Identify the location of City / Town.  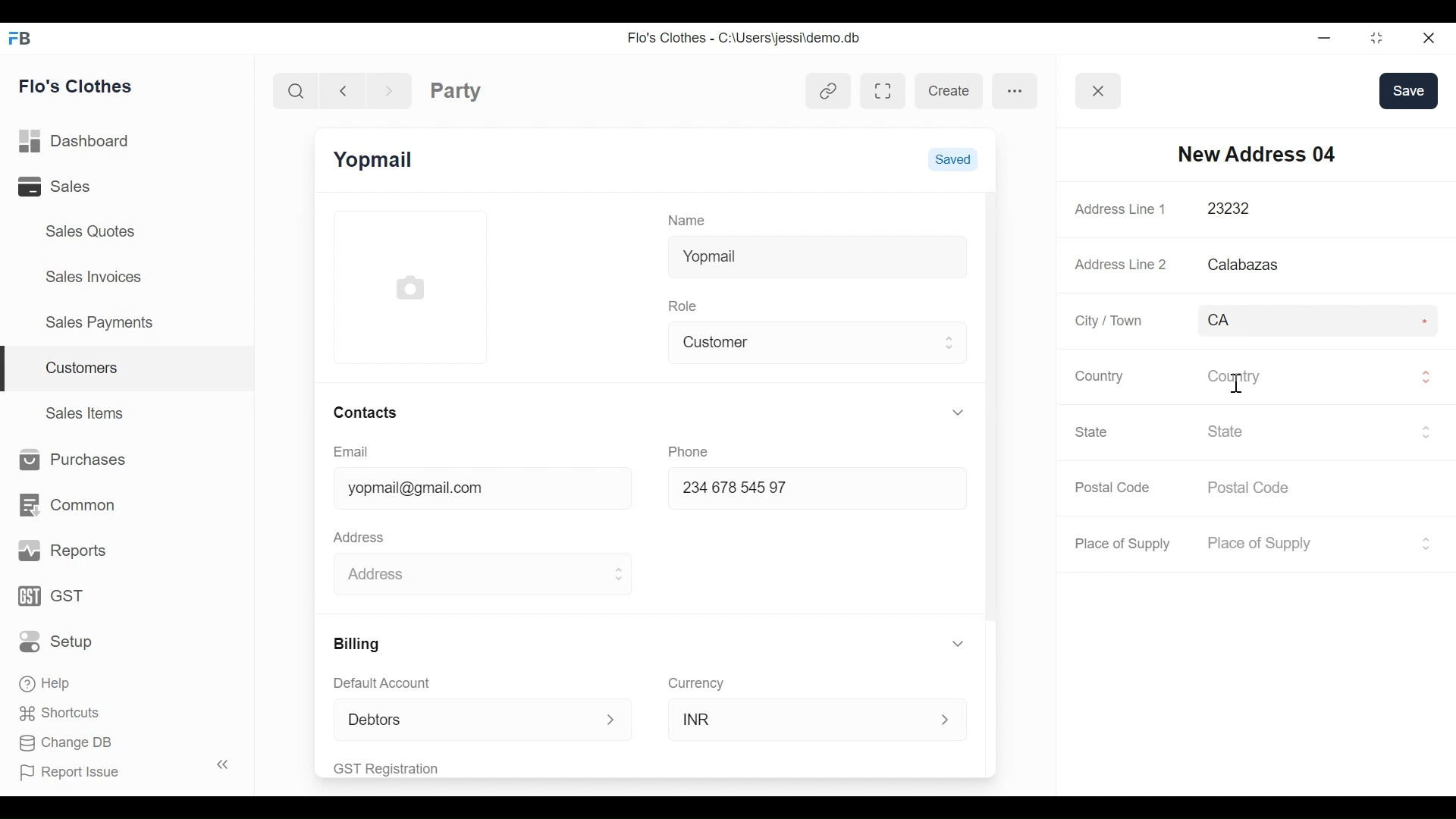
(1110, 321).